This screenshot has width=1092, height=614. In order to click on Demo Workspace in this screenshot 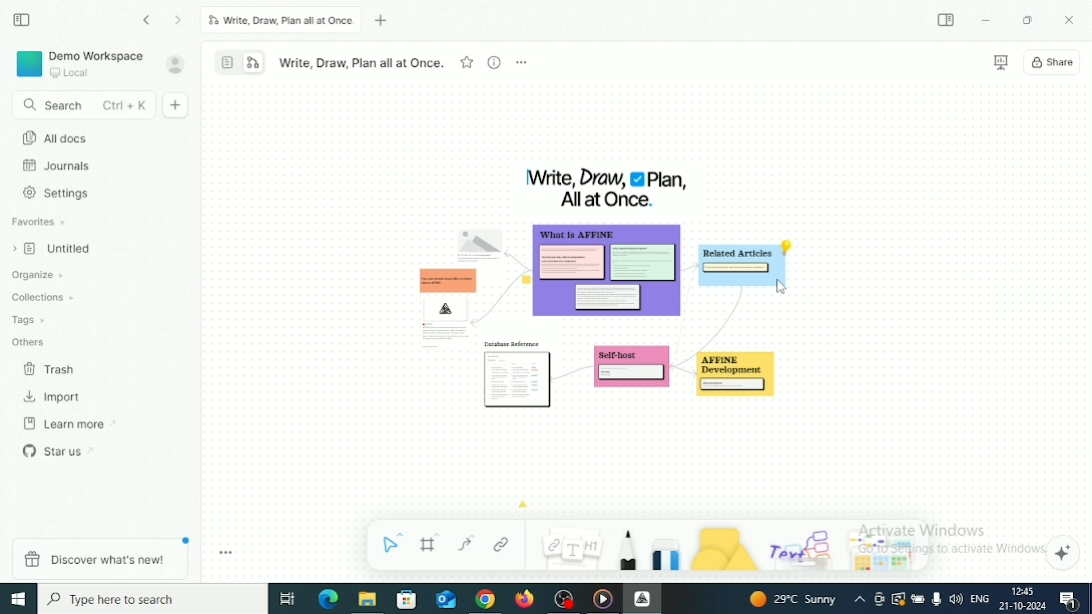, I will do `click(81, 63)`.